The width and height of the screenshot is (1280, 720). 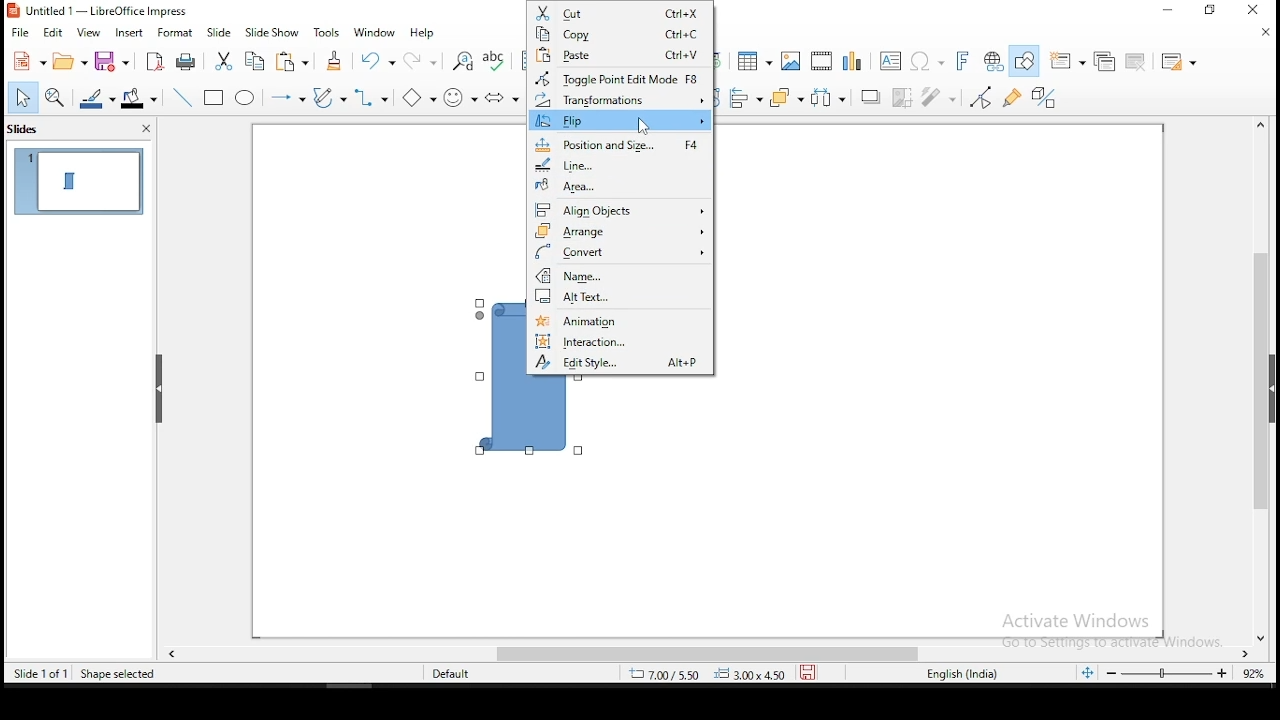 I want to click on position and size, so click(x=620, y=143).